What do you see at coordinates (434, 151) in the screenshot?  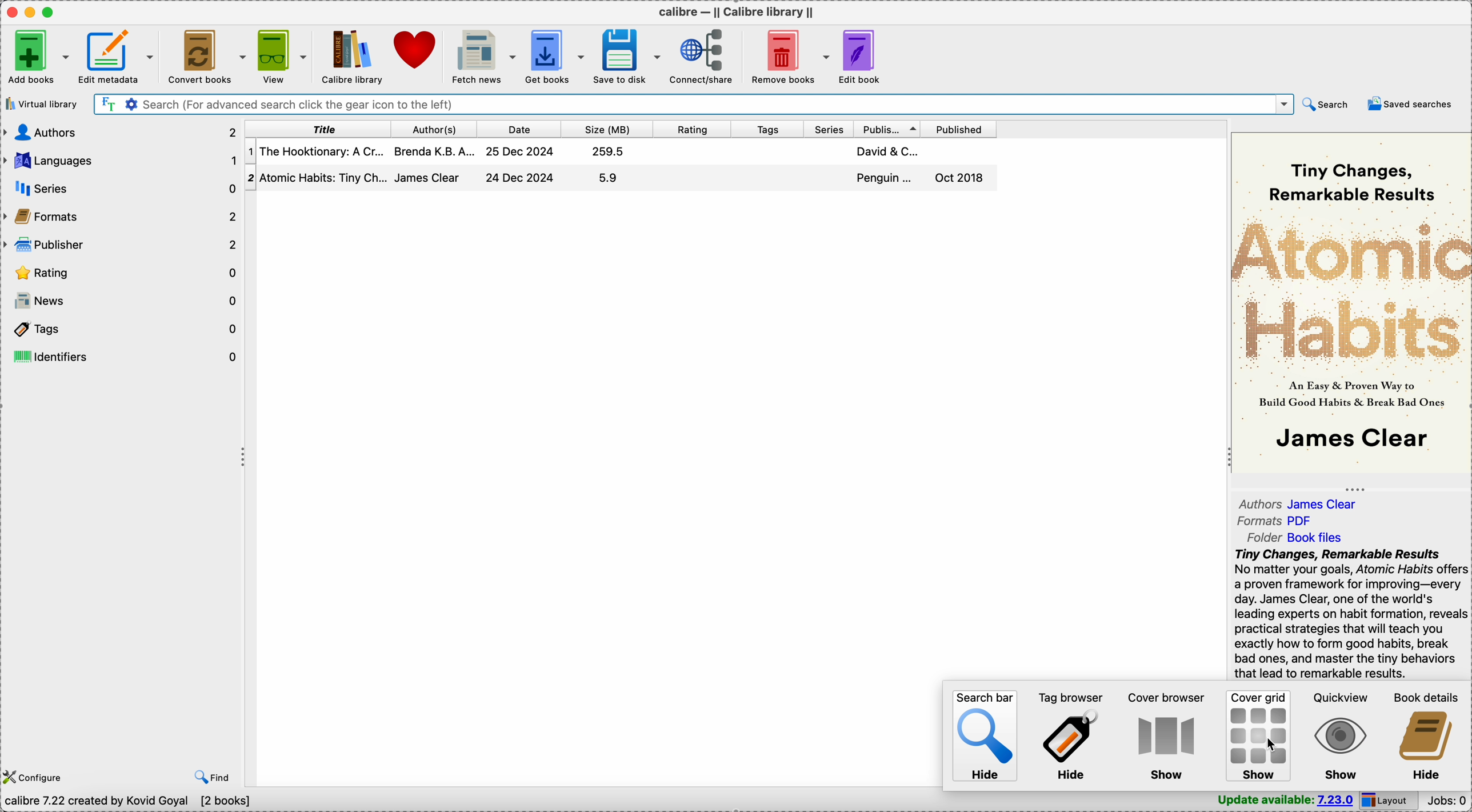 I see `brenda K.B.A...` at bounding box center [434, 151].